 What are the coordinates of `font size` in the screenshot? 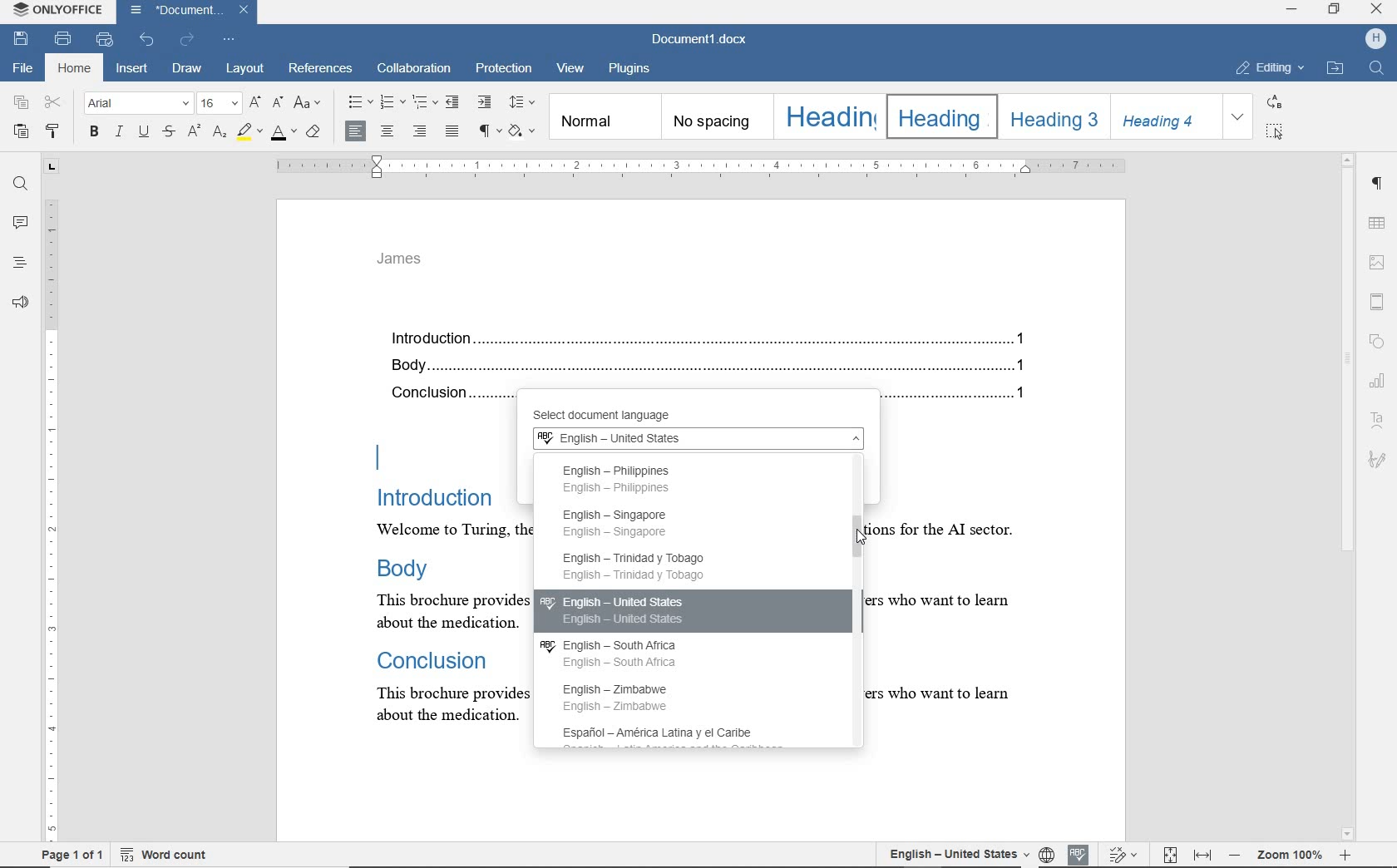 It's located at (219, 104).